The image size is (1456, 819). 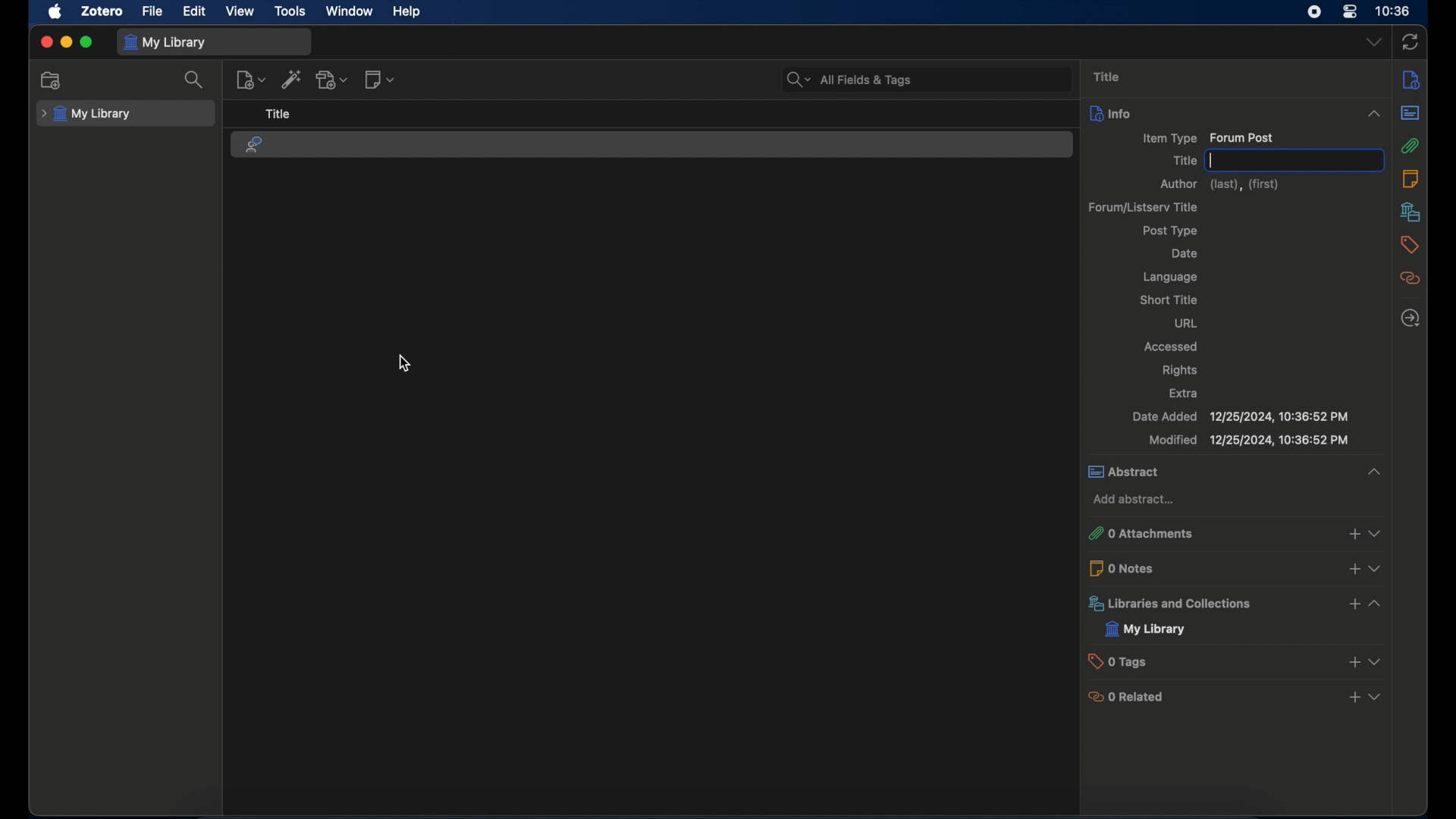 What do you see at coordinates (1410, 212) in the screenshot?
I see `libraries` at bounding box center [1410, 212].